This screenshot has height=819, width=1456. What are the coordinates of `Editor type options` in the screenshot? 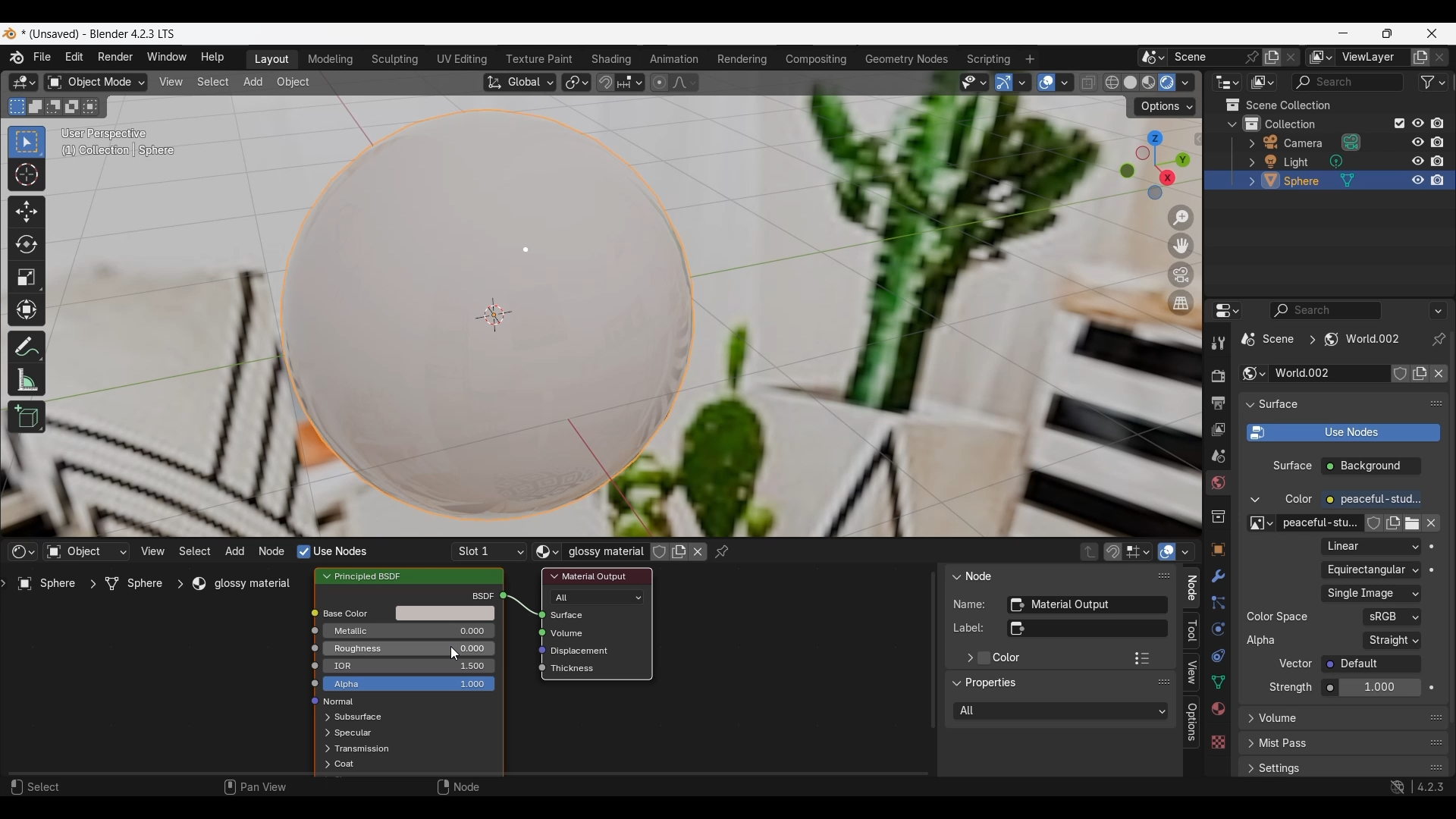 It's located at (1227, 310).